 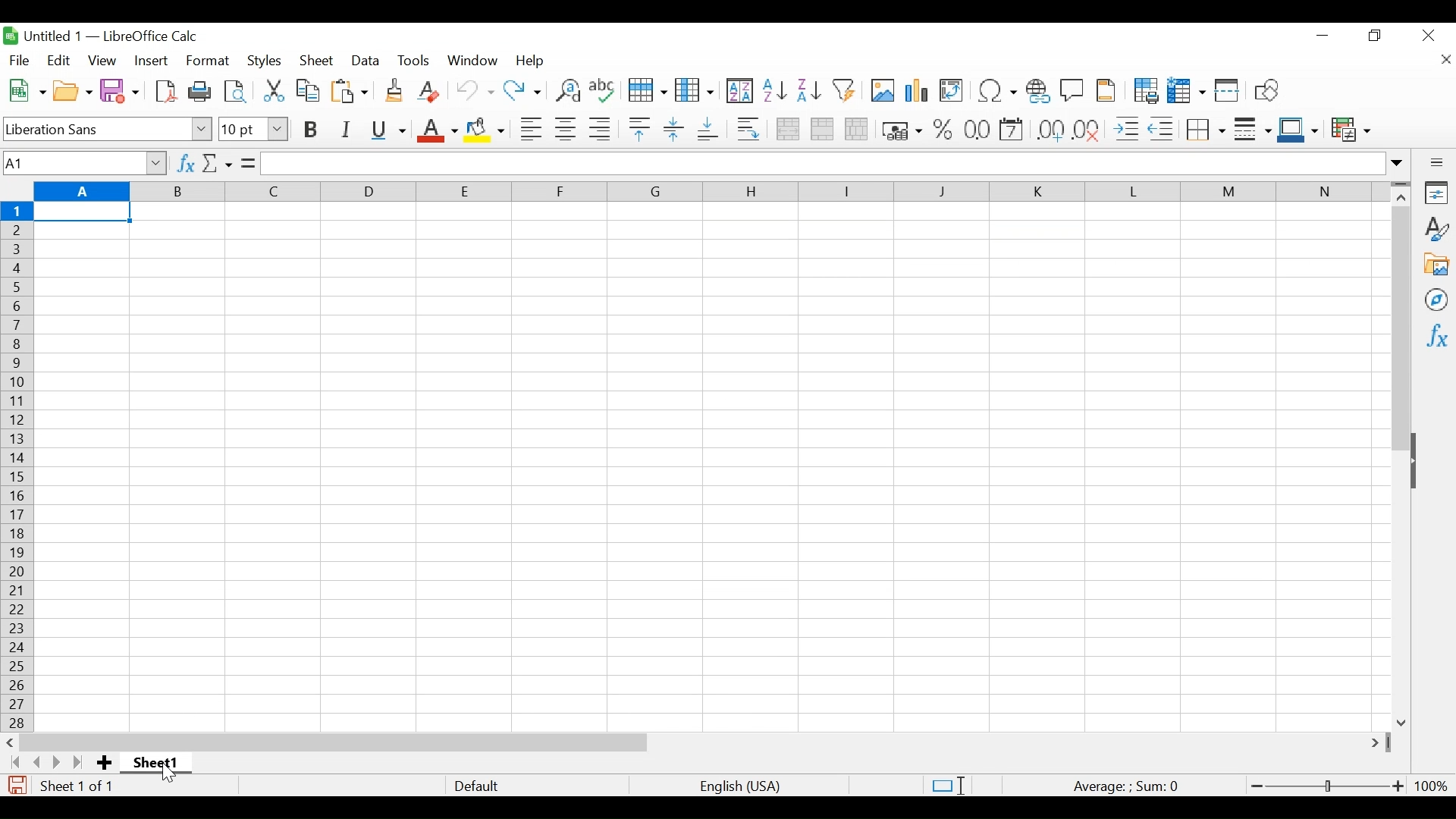 I want to click on Bold, so click(x=310, y=129).